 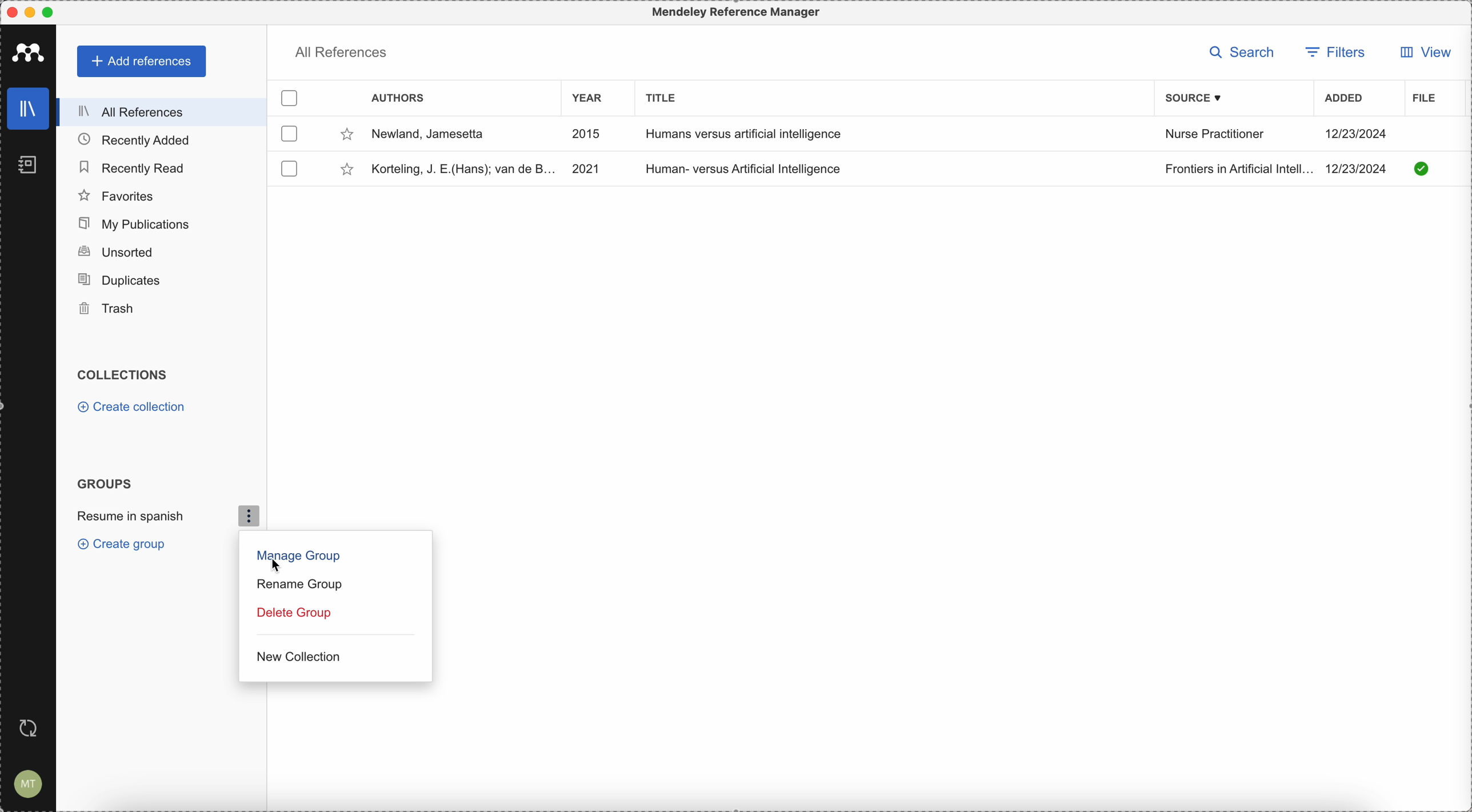 I want to click on Human- versus Artificial Intelligence, so click(x=746, y=168).